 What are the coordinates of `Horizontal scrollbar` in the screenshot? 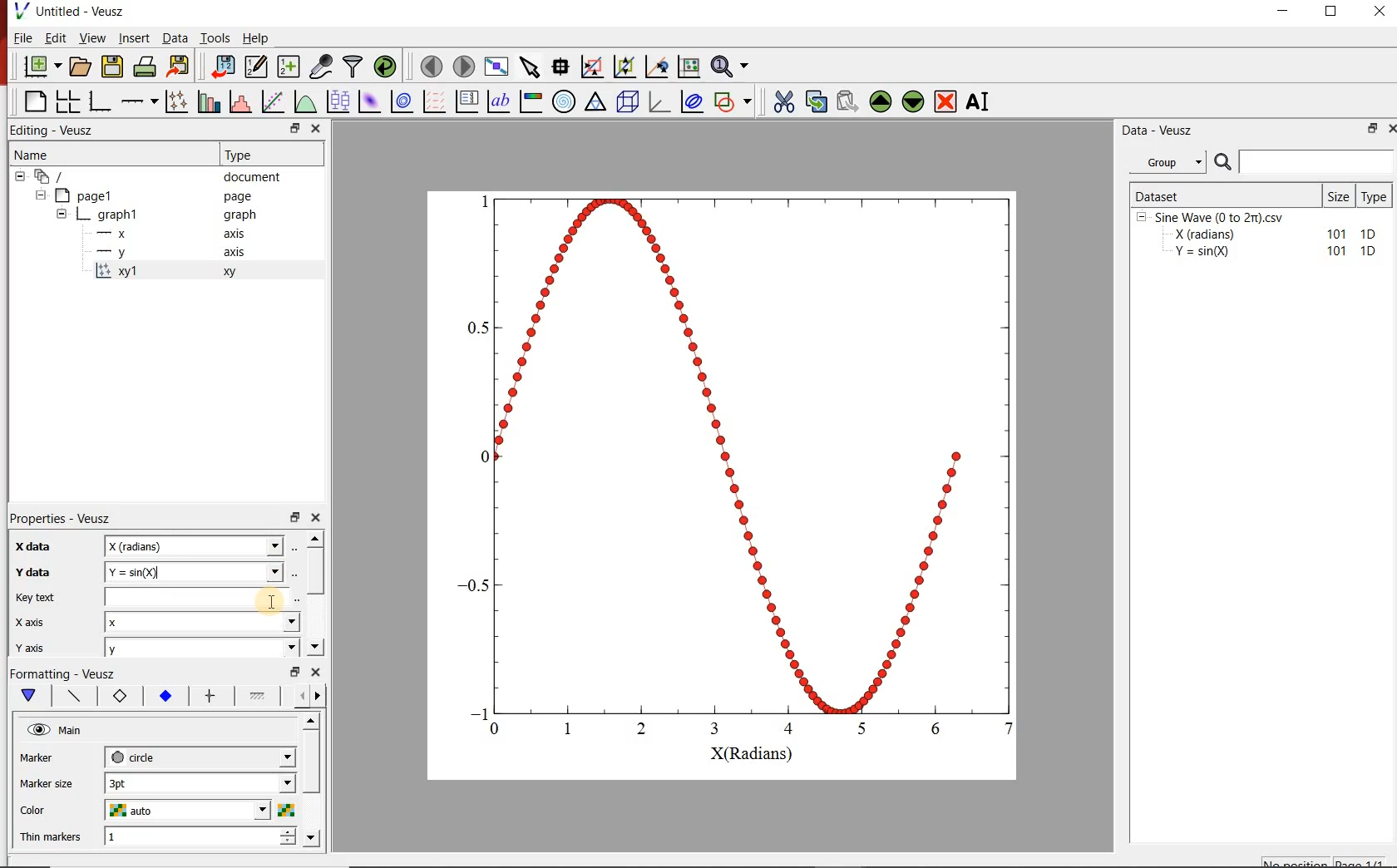 It's located at (313, 778).